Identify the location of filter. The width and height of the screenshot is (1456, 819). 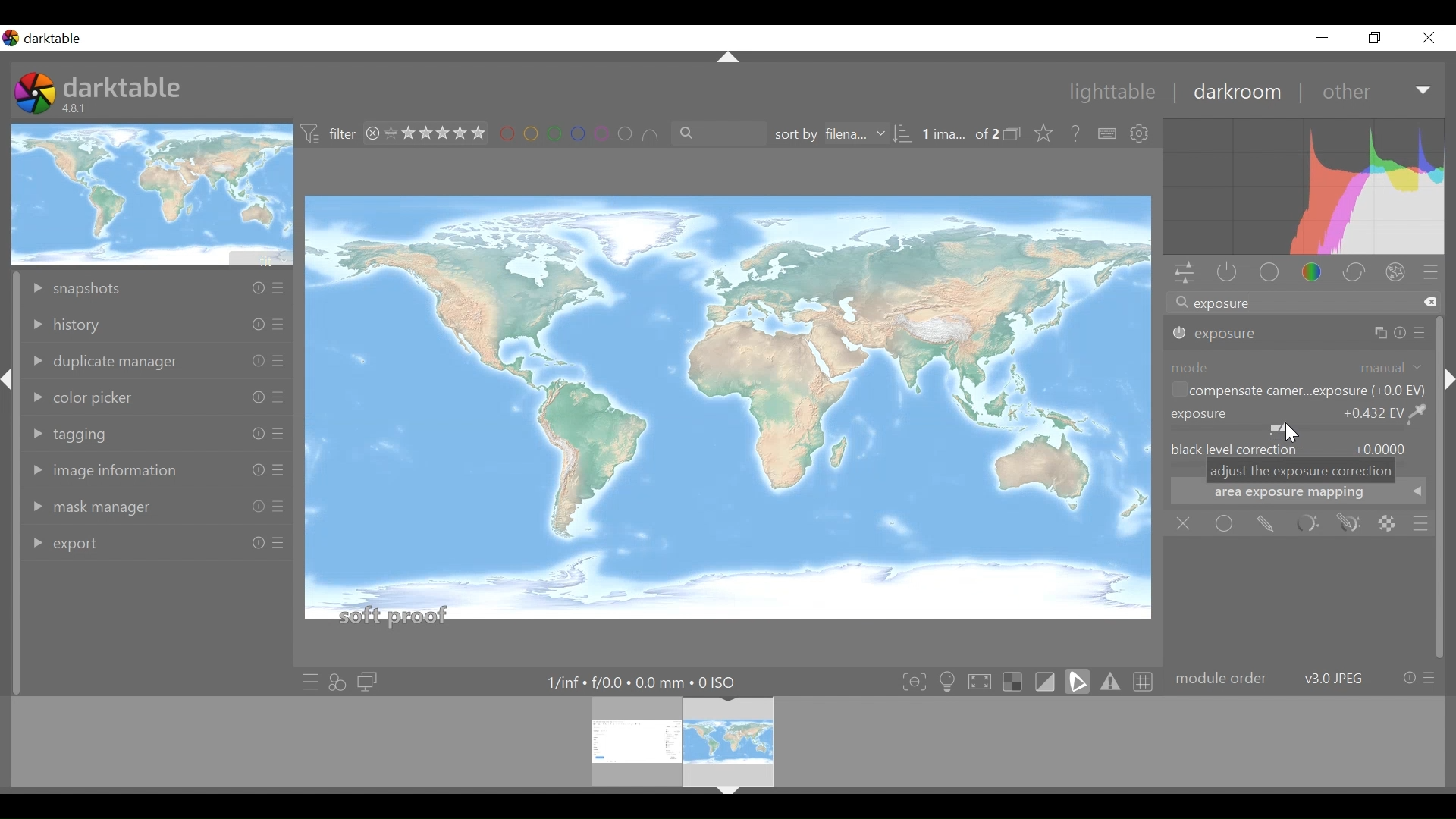
(329, 134).